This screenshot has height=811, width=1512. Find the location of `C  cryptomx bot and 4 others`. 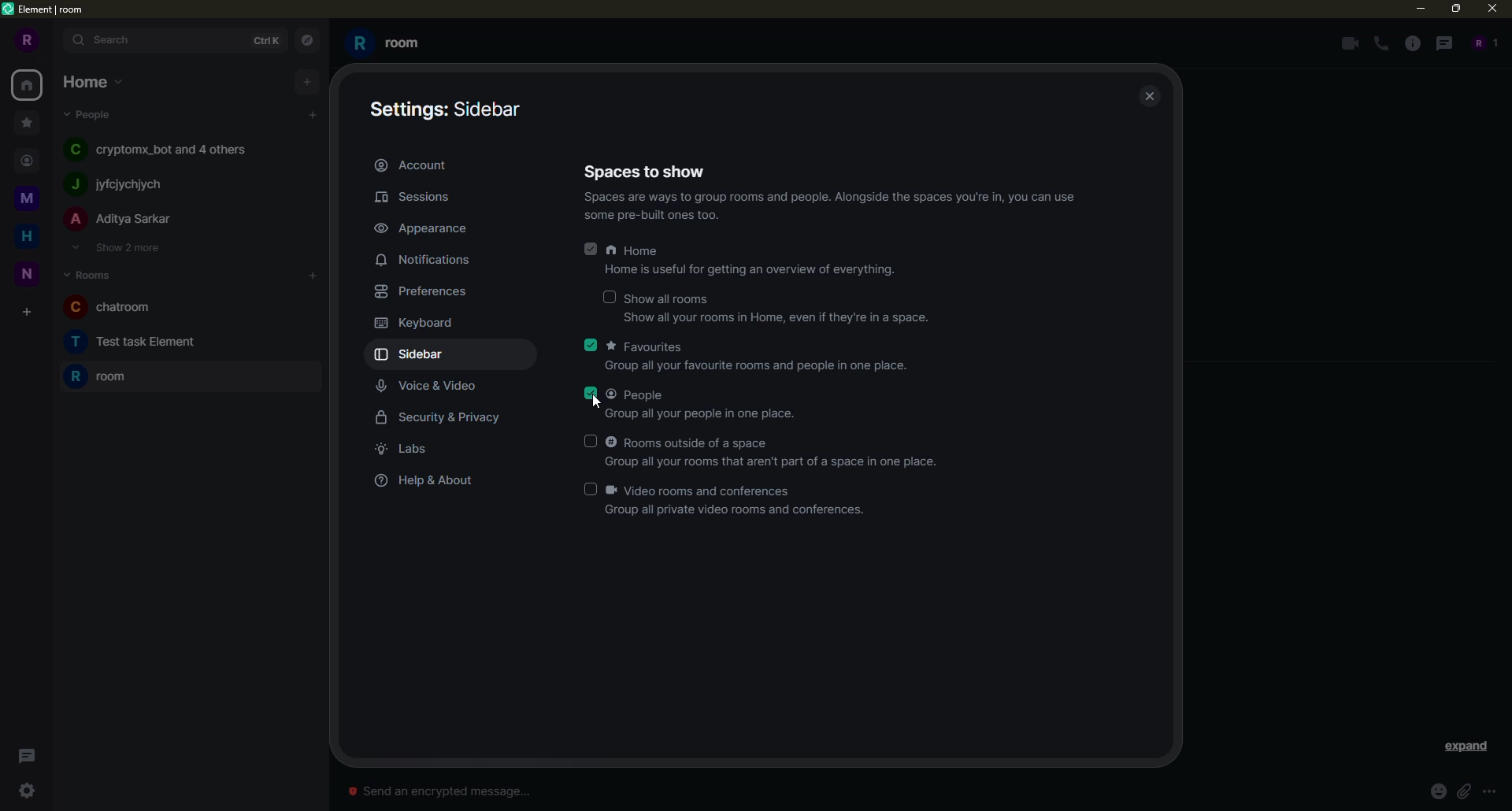

C  cryptomx bot and 4 others is located at coordinates (163, 150).